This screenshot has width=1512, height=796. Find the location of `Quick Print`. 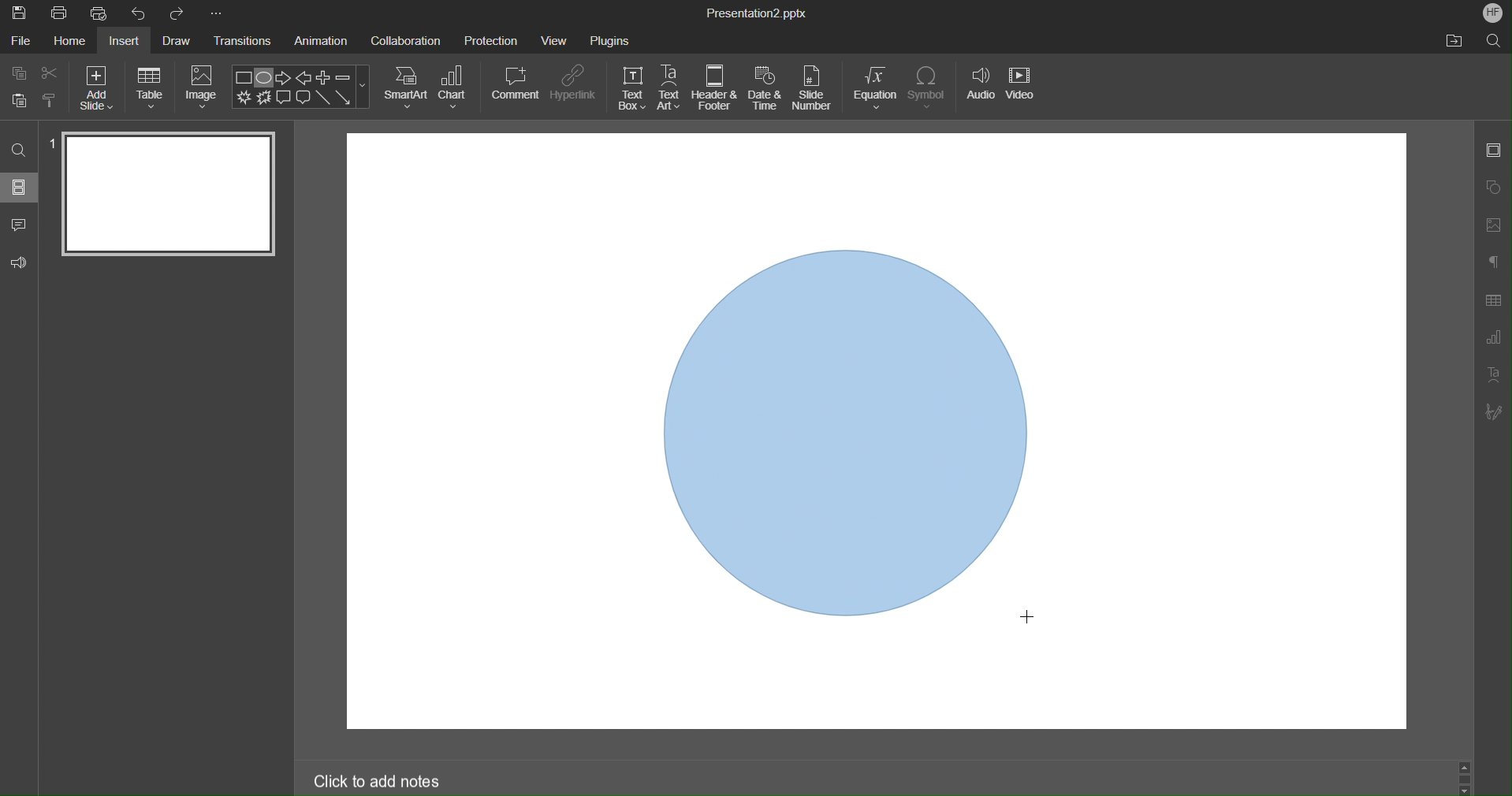

Quick Print is located at coordinates (103, 14).